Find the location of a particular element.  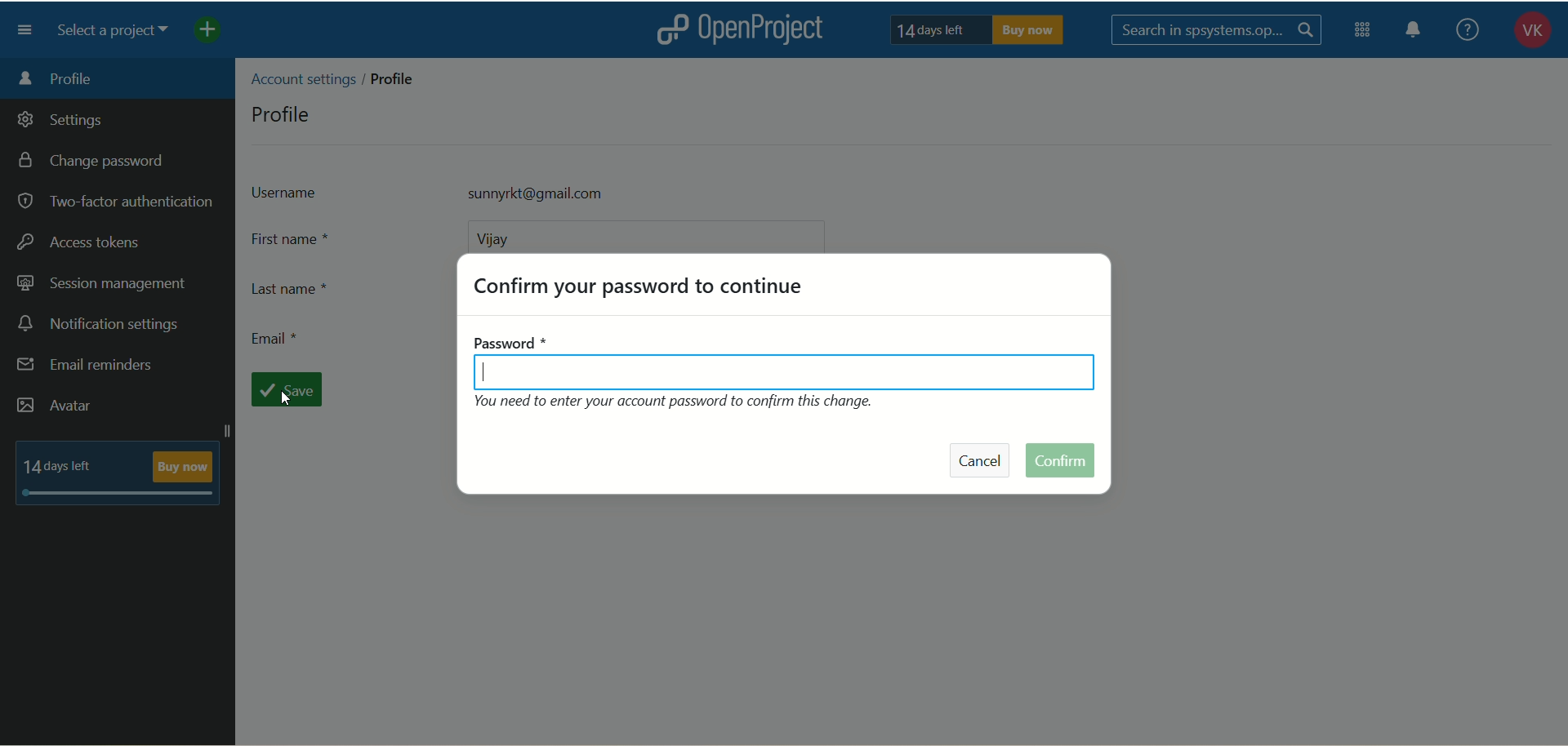

change password is located at coordinates (97, 162).